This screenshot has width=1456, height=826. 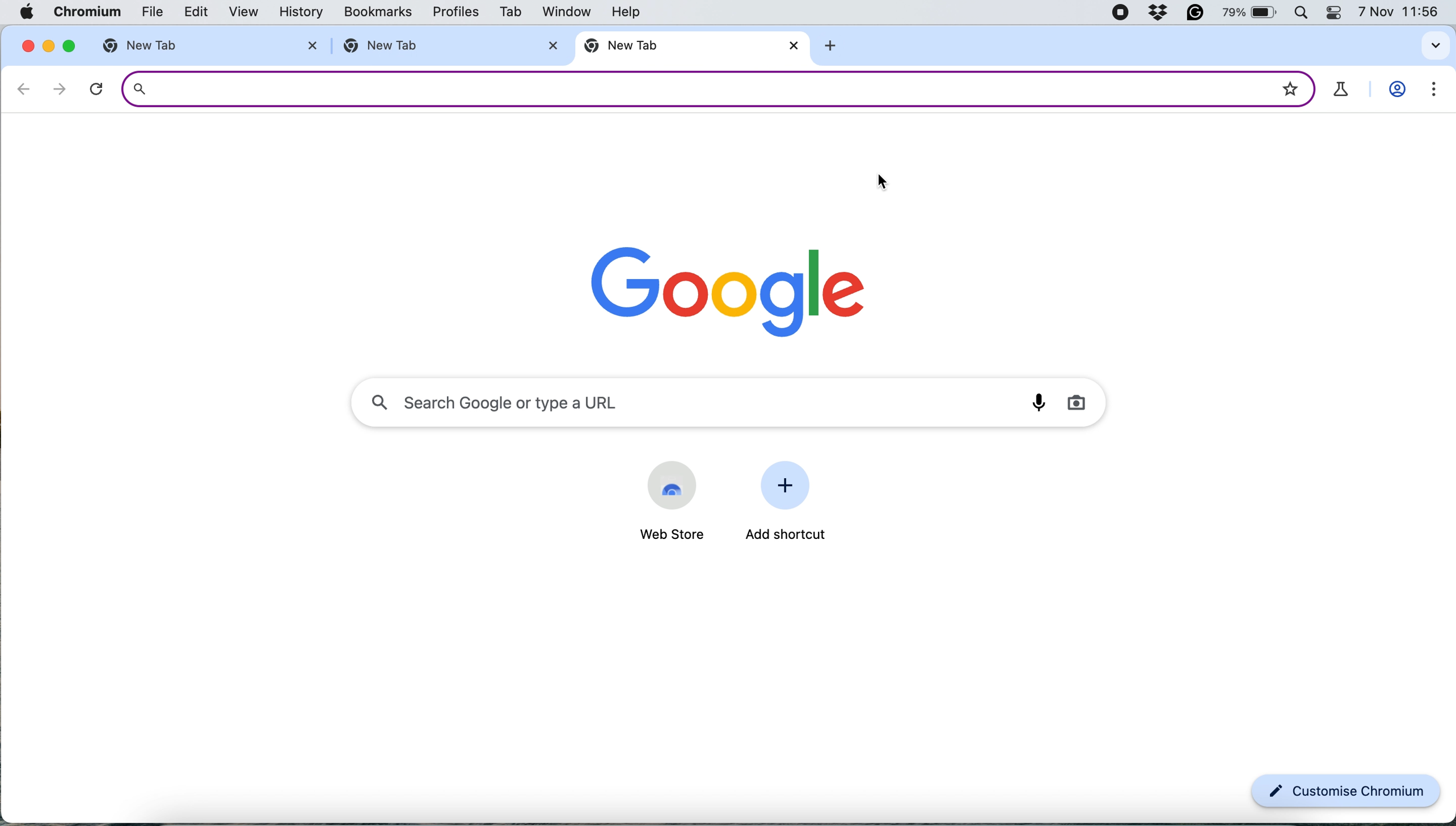 I want to click on profiles, so click(x=455, y=14).